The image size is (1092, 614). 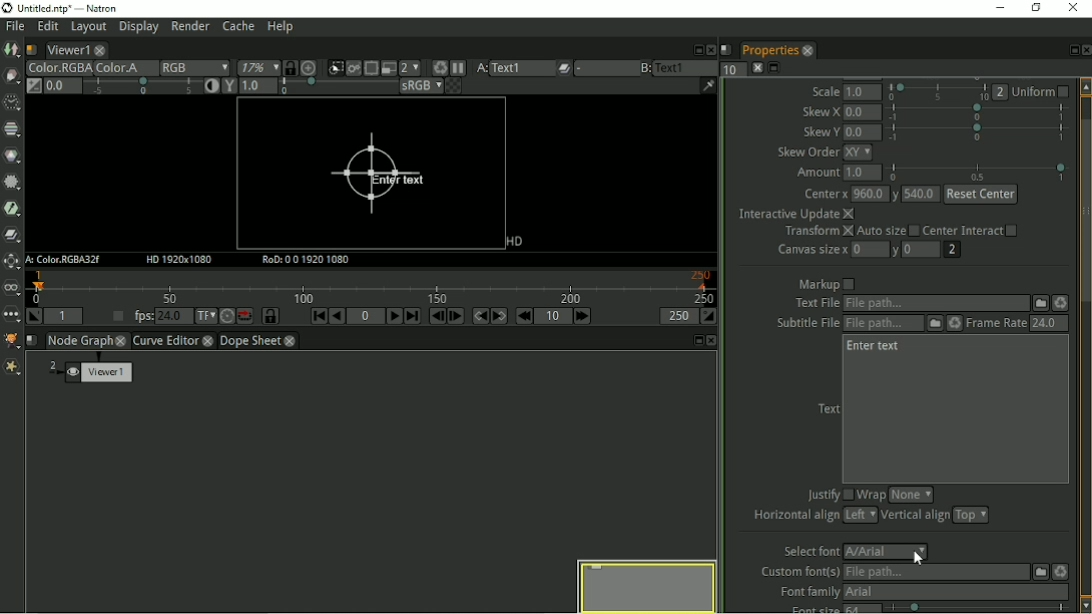 I want to click on Script name, so click(x=31, y=50).